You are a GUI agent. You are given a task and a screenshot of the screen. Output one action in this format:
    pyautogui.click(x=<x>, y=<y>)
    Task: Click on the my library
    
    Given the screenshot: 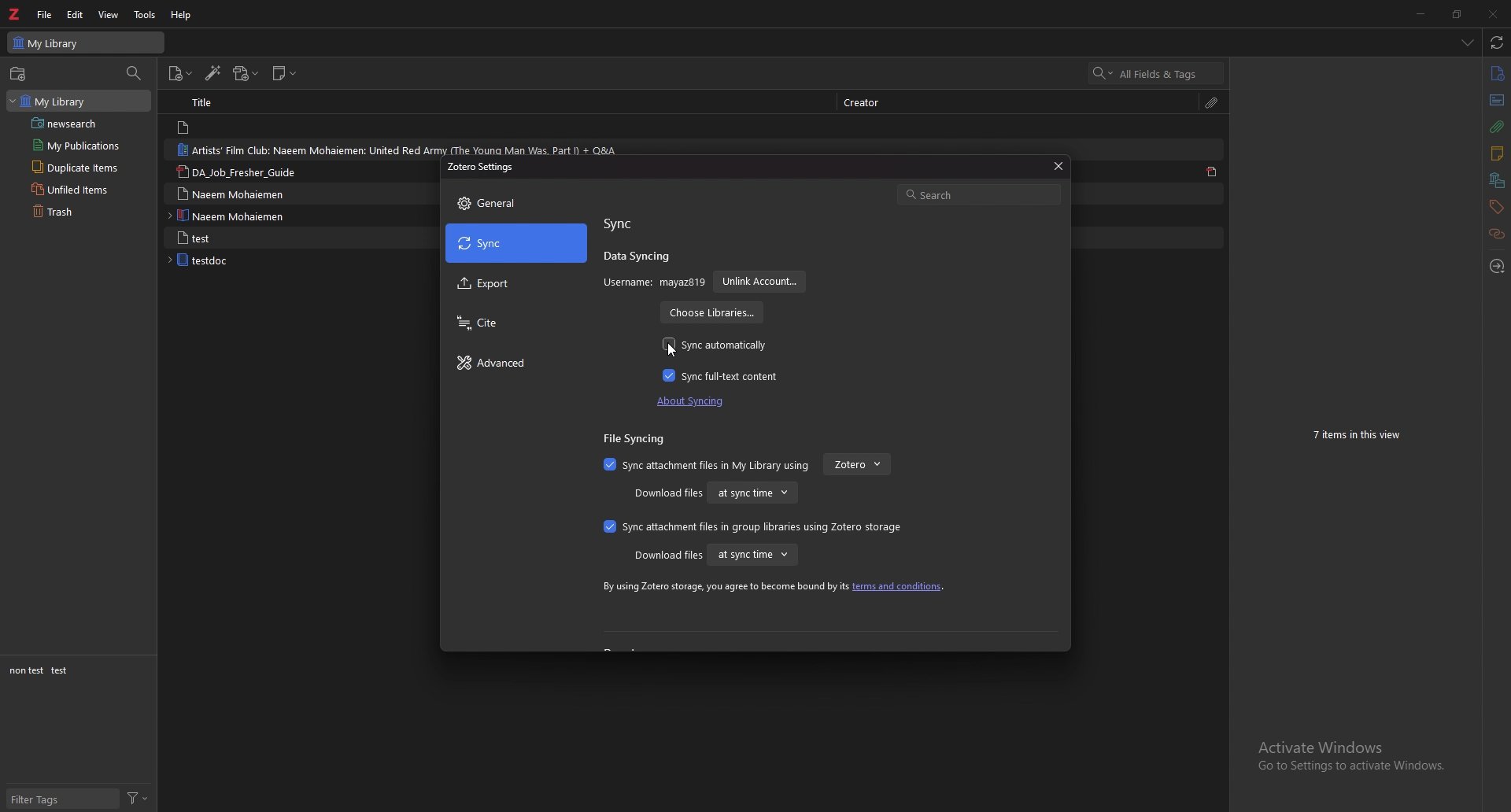 What is the action you would take?
    pyautogui.click(x=88, y=42)
    